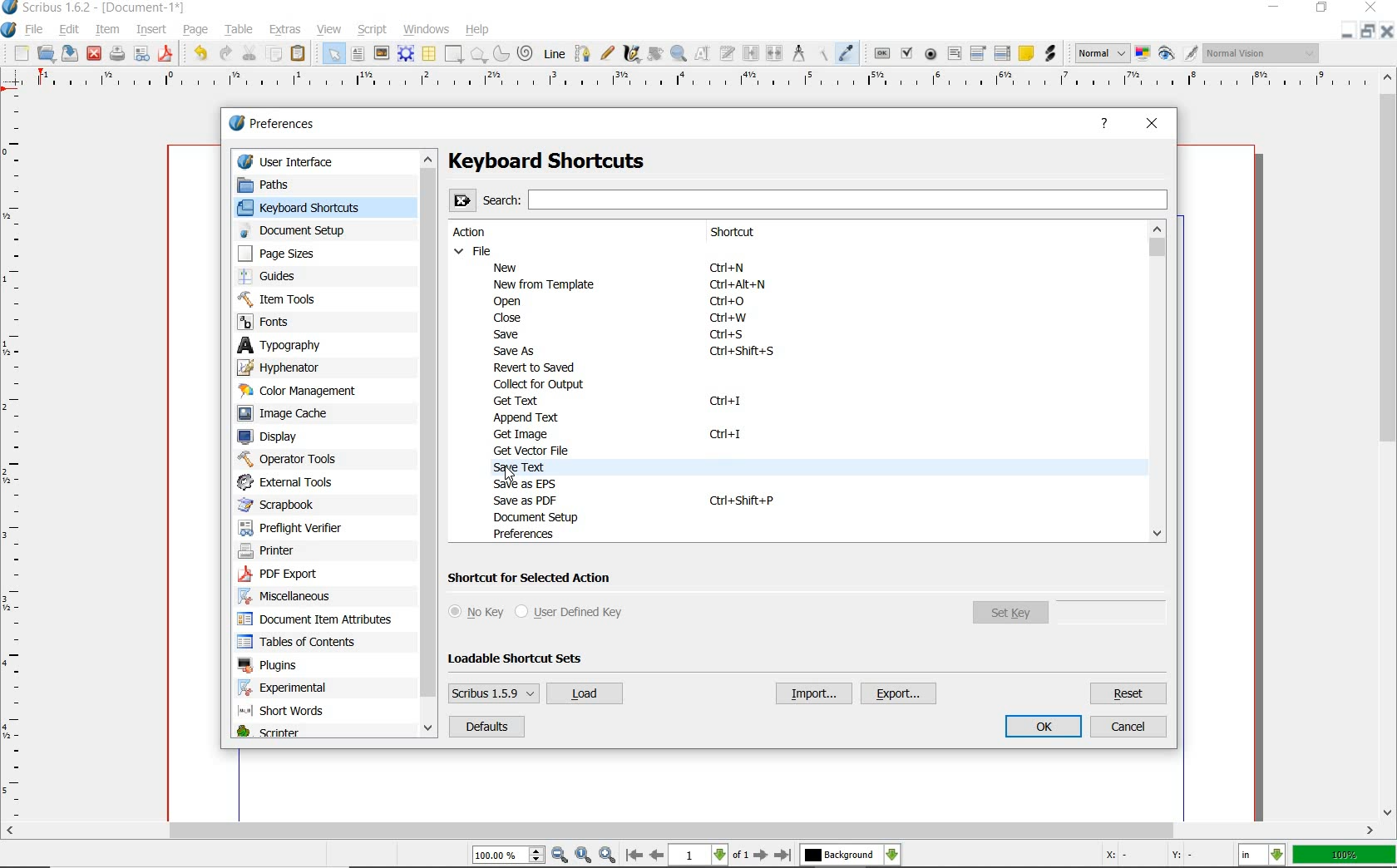 This screenshot has height=868, width=1397. I want to click on Keyboard Shortcuts, so click(580, 161).